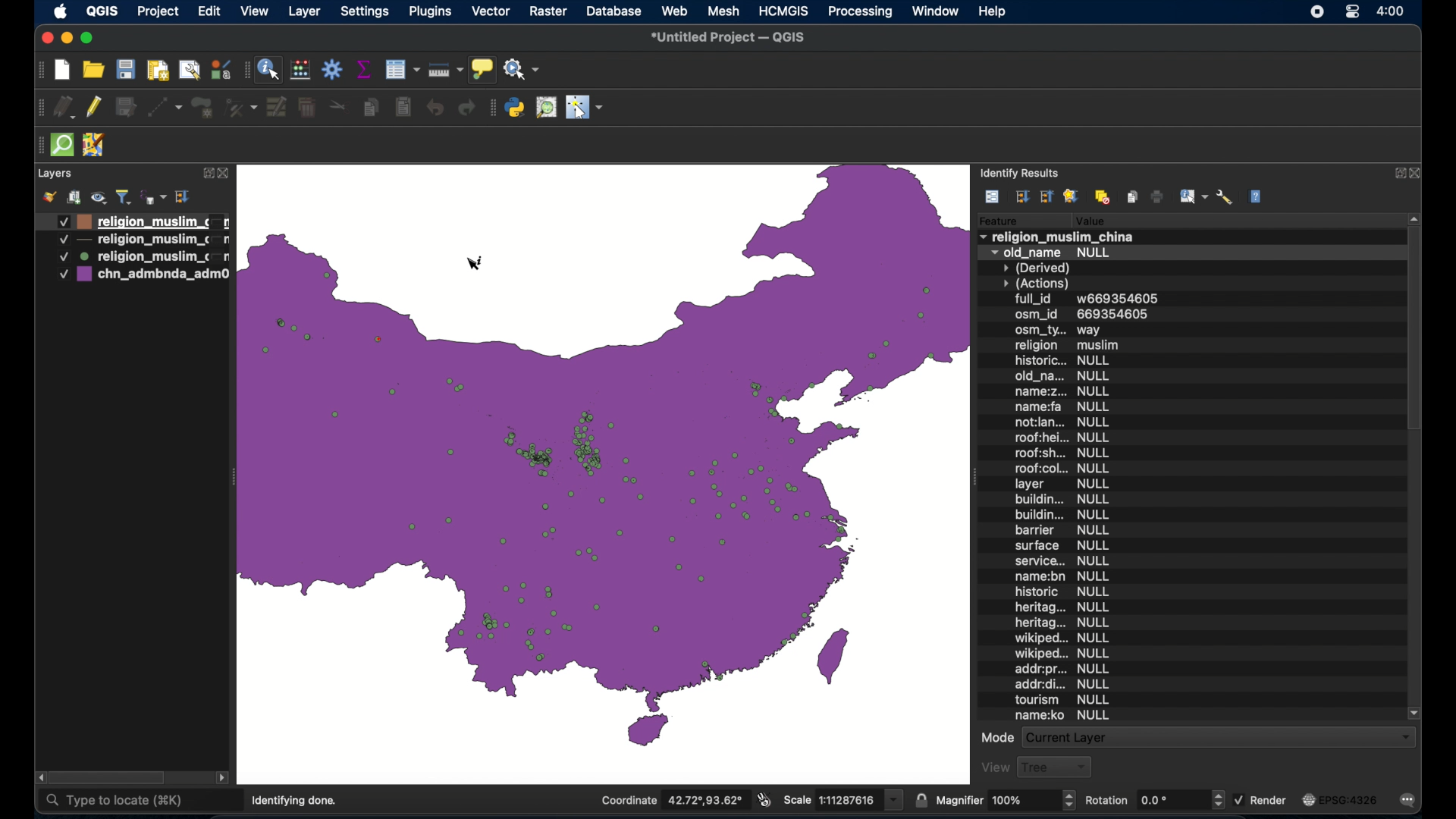  Describe the element at coordinates (934, 11) in the screenshot. I see `window` at that location.